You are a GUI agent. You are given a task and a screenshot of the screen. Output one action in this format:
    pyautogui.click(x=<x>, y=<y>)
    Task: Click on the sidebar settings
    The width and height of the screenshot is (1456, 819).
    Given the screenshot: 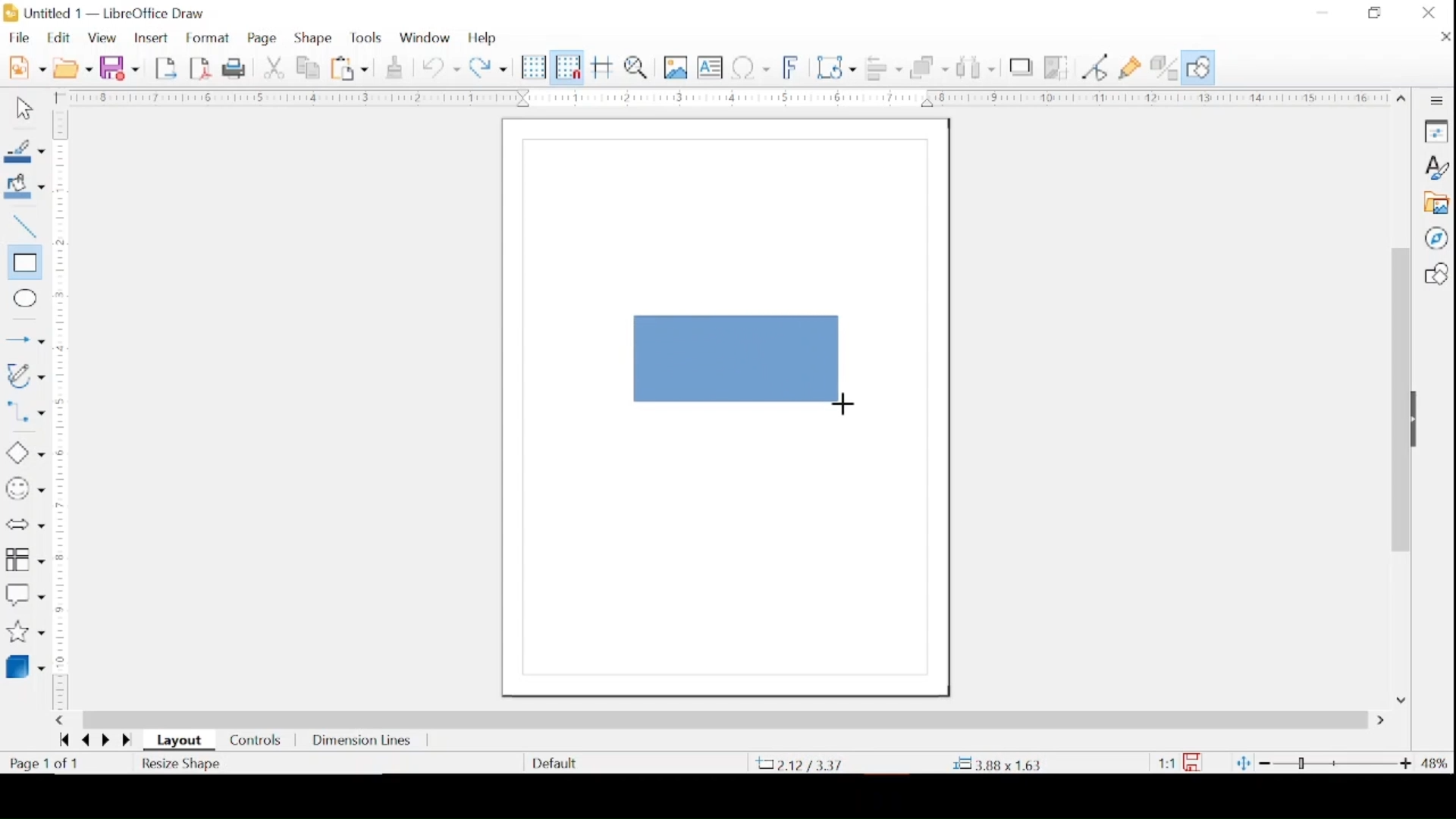 What is the action you would take?
    pyautogui.click(x=1437, y=101)
    